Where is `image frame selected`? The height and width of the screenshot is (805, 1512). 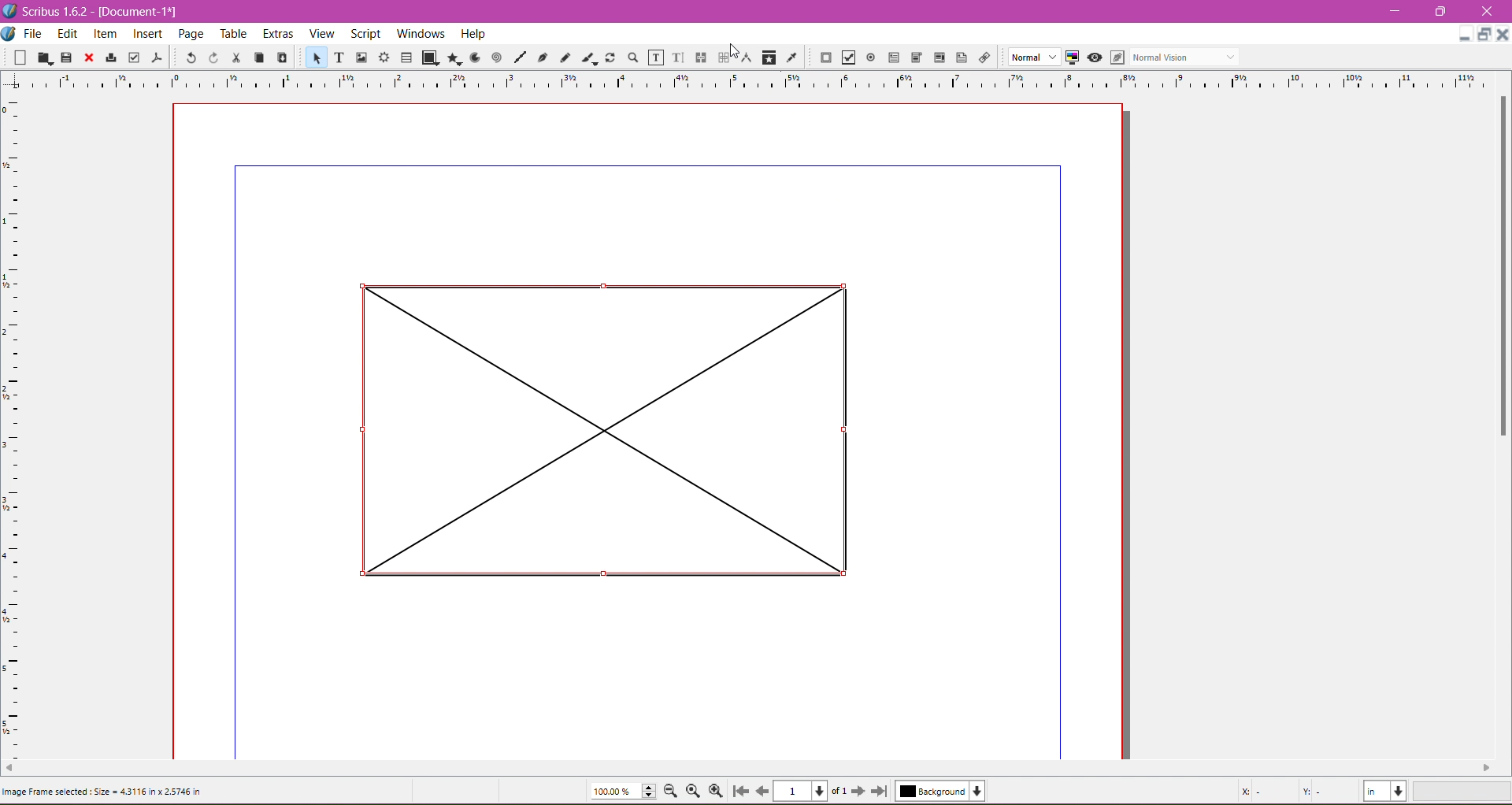
image frame selected is located at coordinates (103, 796).